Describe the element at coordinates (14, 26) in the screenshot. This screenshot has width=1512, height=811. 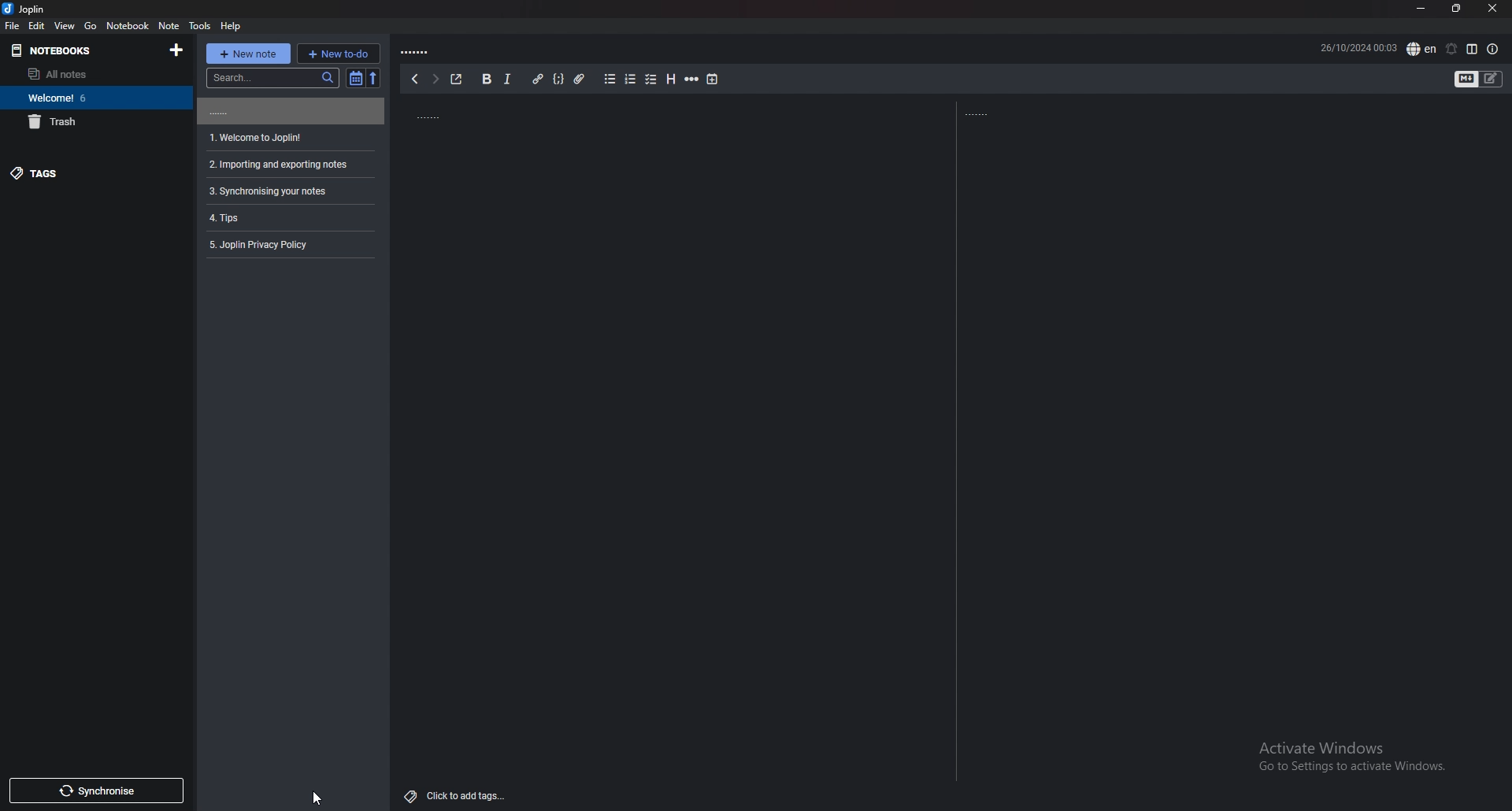
I see `file` at that location.